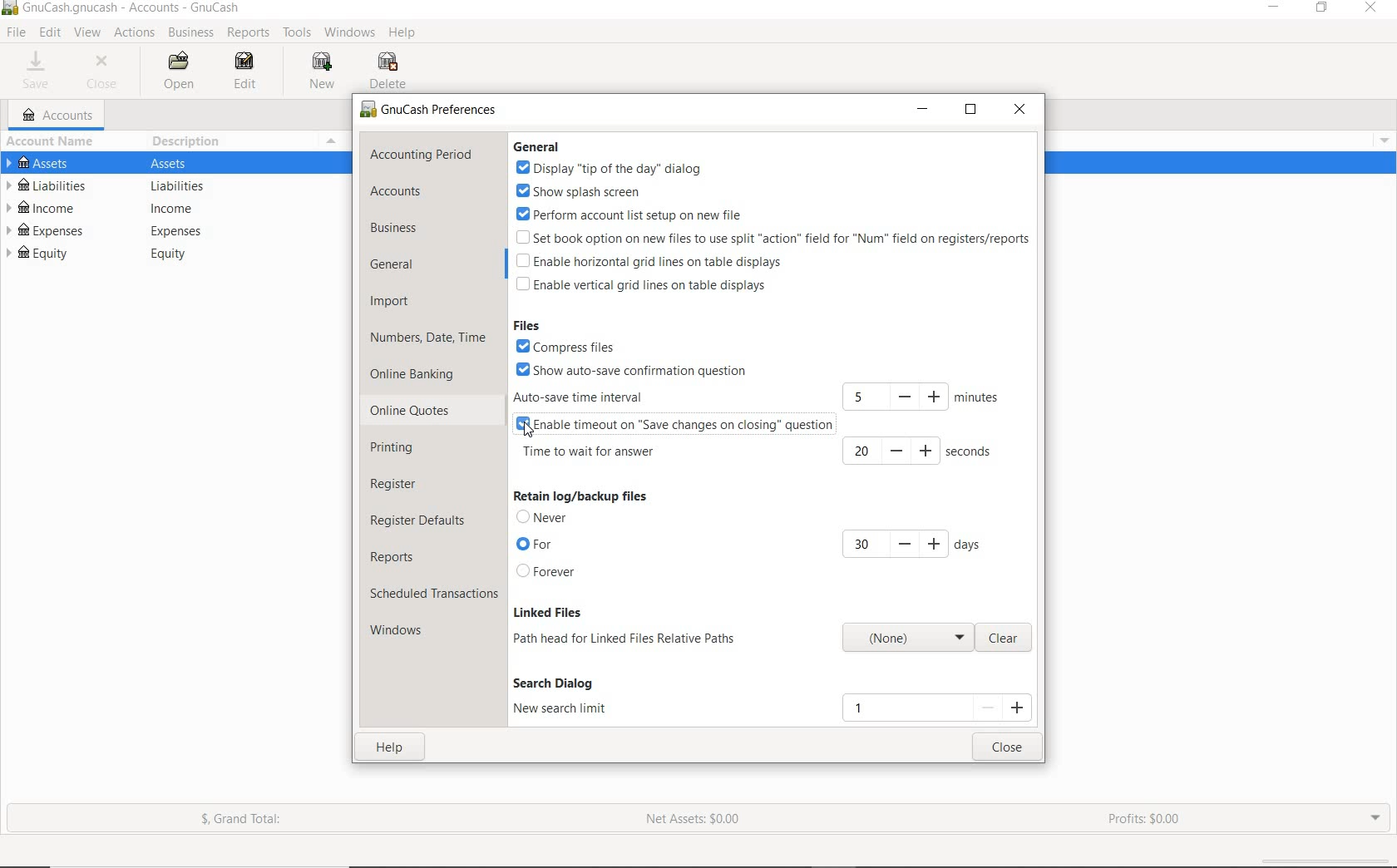 The image size is (1397, 868). I want to click on new search field, so click(937, 707).